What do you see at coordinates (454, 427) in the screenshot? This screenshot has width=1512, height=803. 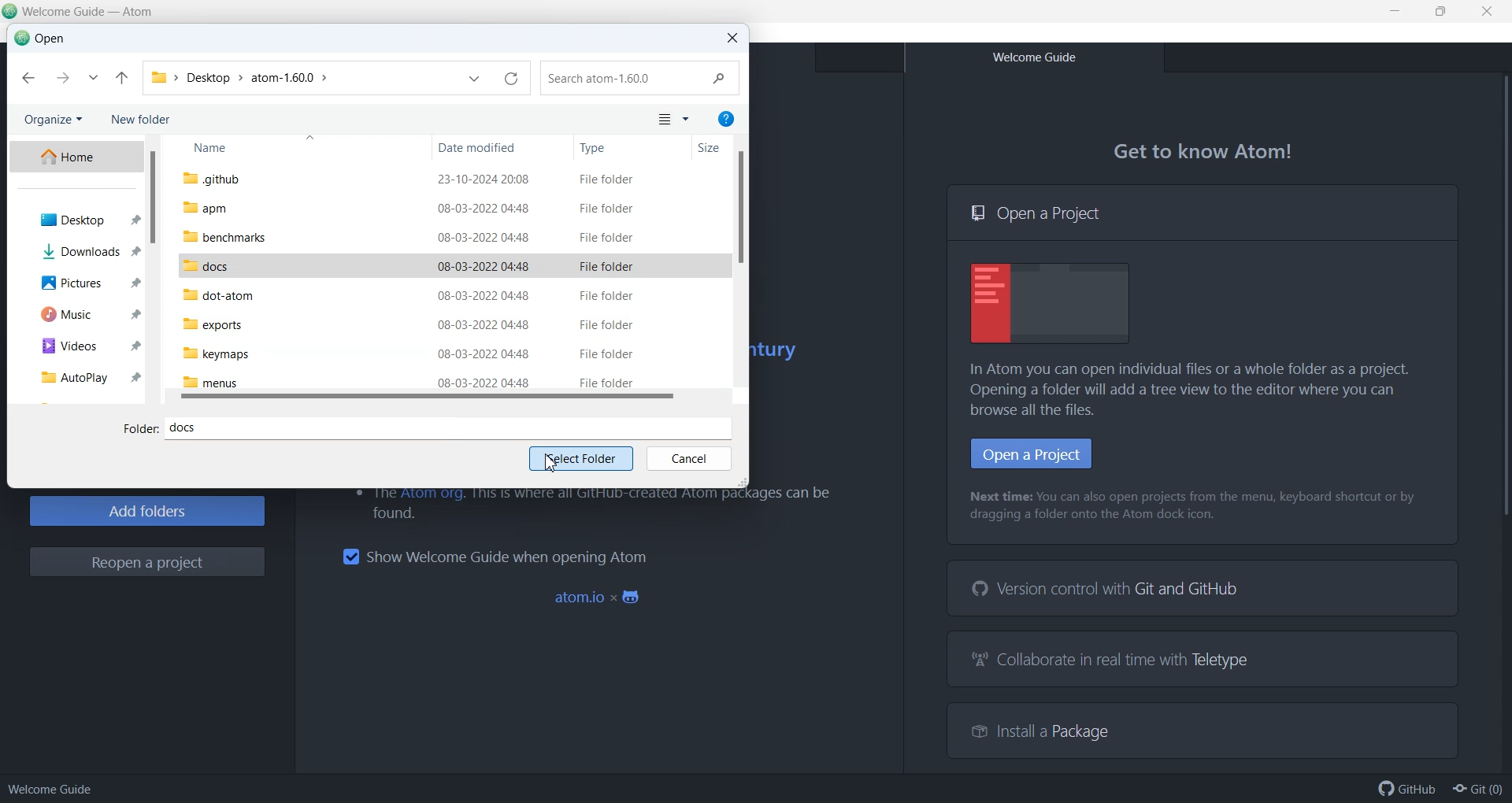 I see `docs` at bounding box center [454, 427].